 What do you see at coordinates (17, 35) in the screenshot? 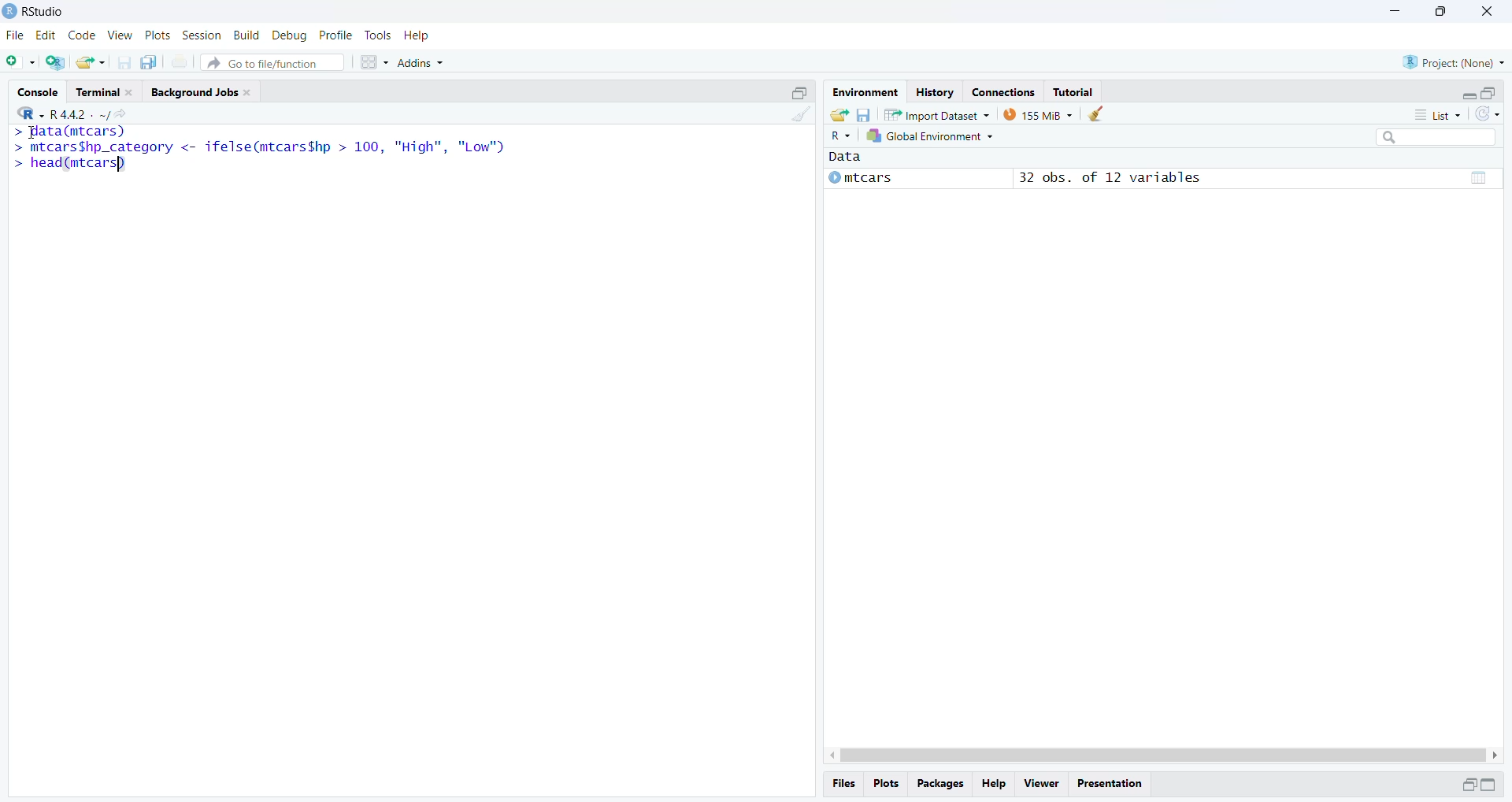
I see `File` at bounding box center [17, 35].